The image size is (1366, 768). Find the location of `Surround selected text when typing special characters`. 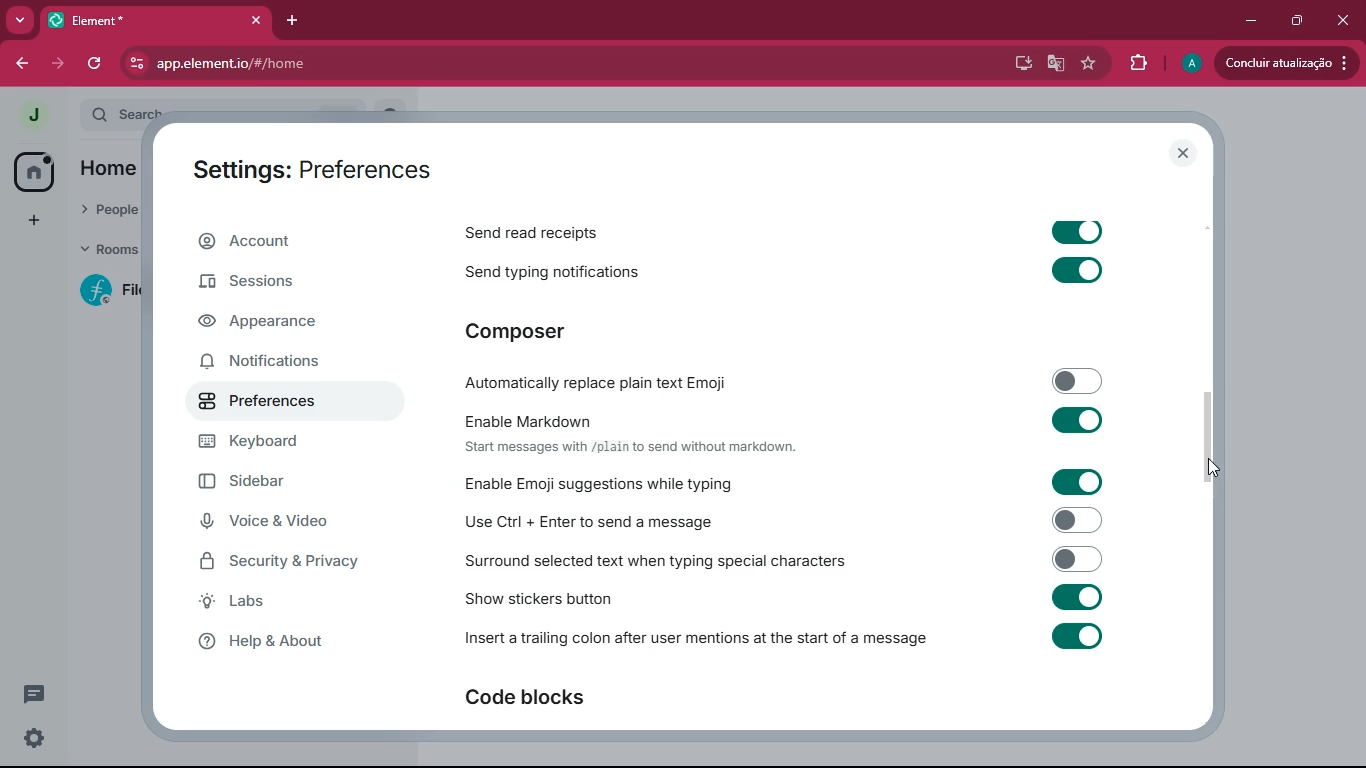

Surround selected text when typing special characters is located at coordinates (782, 559).